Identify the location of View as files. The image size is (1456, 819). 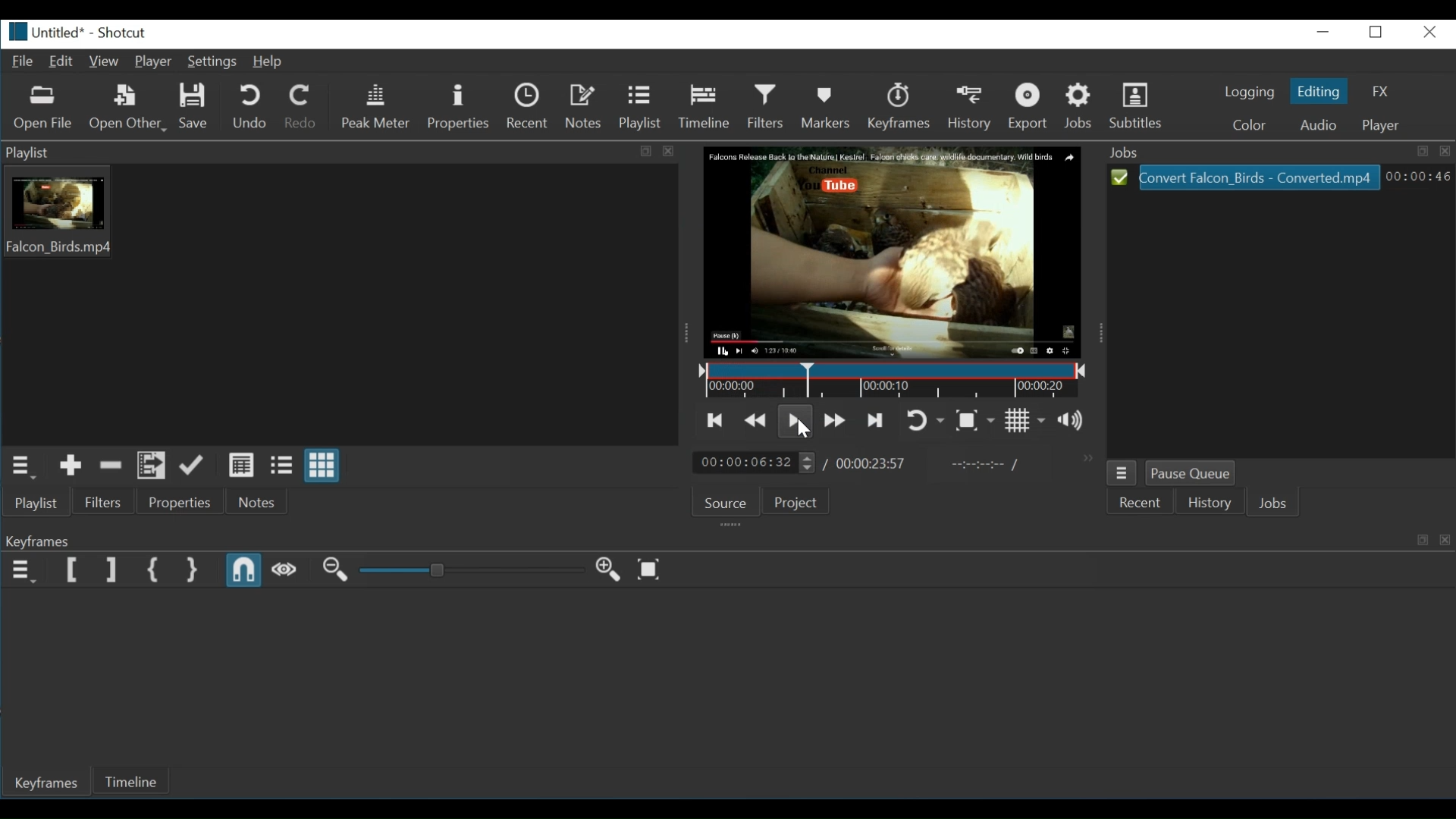
(281, 466).